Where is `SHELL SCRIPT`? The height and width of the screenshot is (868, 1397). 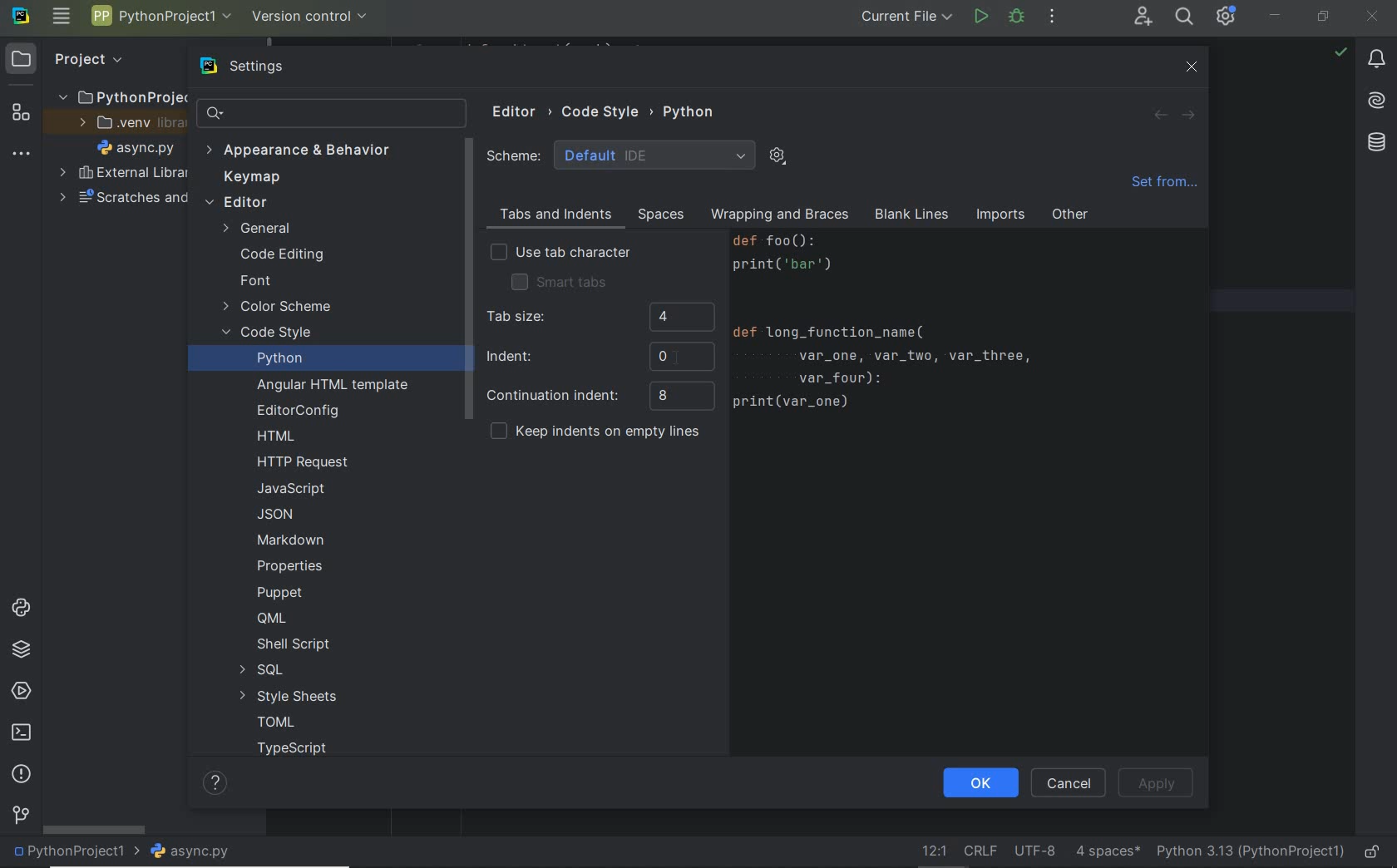 SHELL SCRIPT is located at coordinates (293, 645).